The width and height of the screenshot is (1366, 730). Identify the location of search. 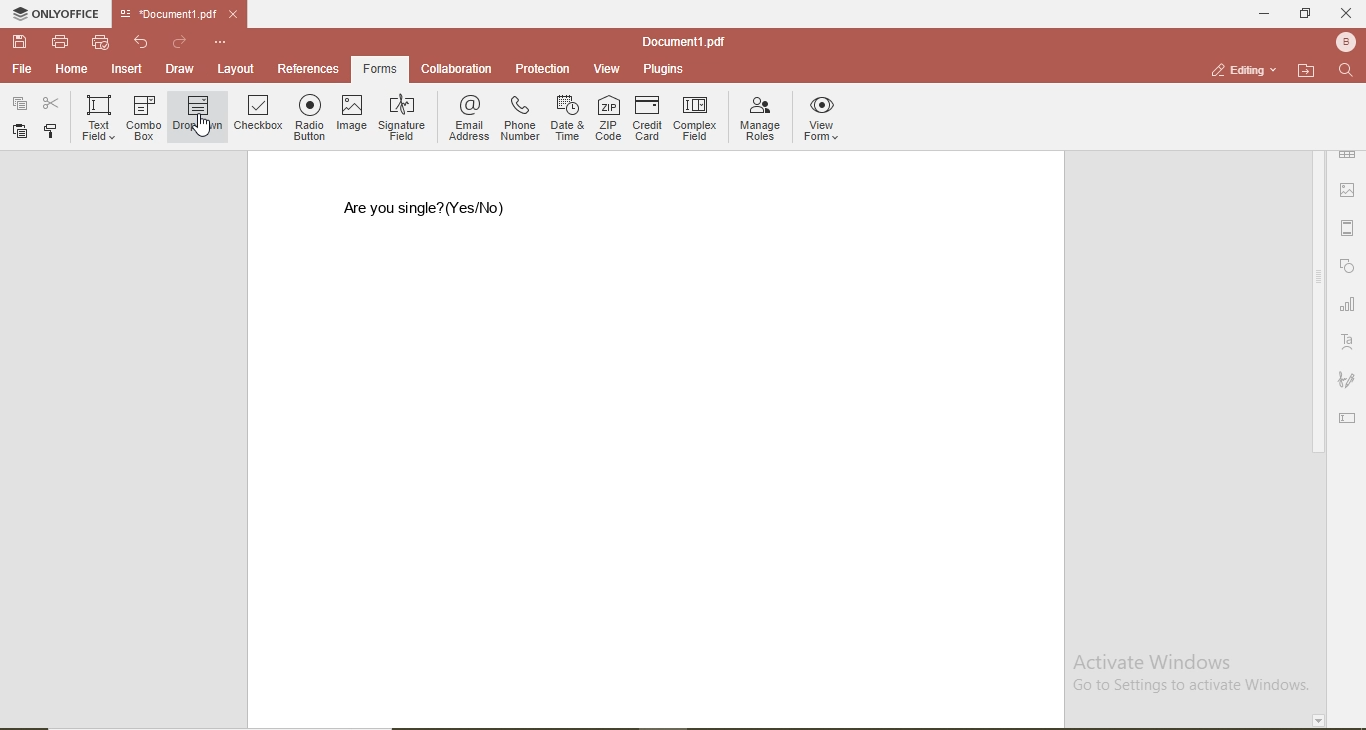
(1349, 73).